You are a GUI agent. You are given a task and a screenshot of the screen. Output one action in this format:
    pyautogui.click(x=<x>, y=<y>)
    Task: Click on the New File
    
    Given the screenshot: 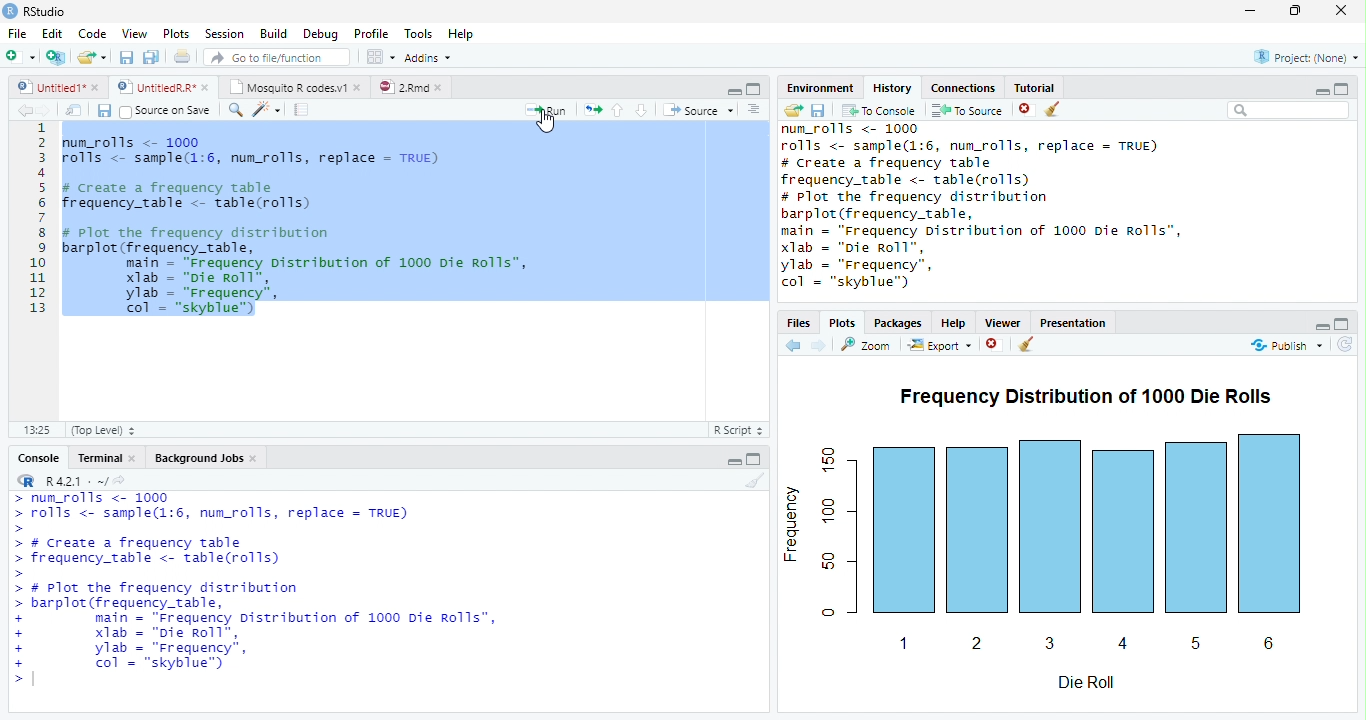 What is the action you would take?
    pyautogui.click(x=20, y=56)
    